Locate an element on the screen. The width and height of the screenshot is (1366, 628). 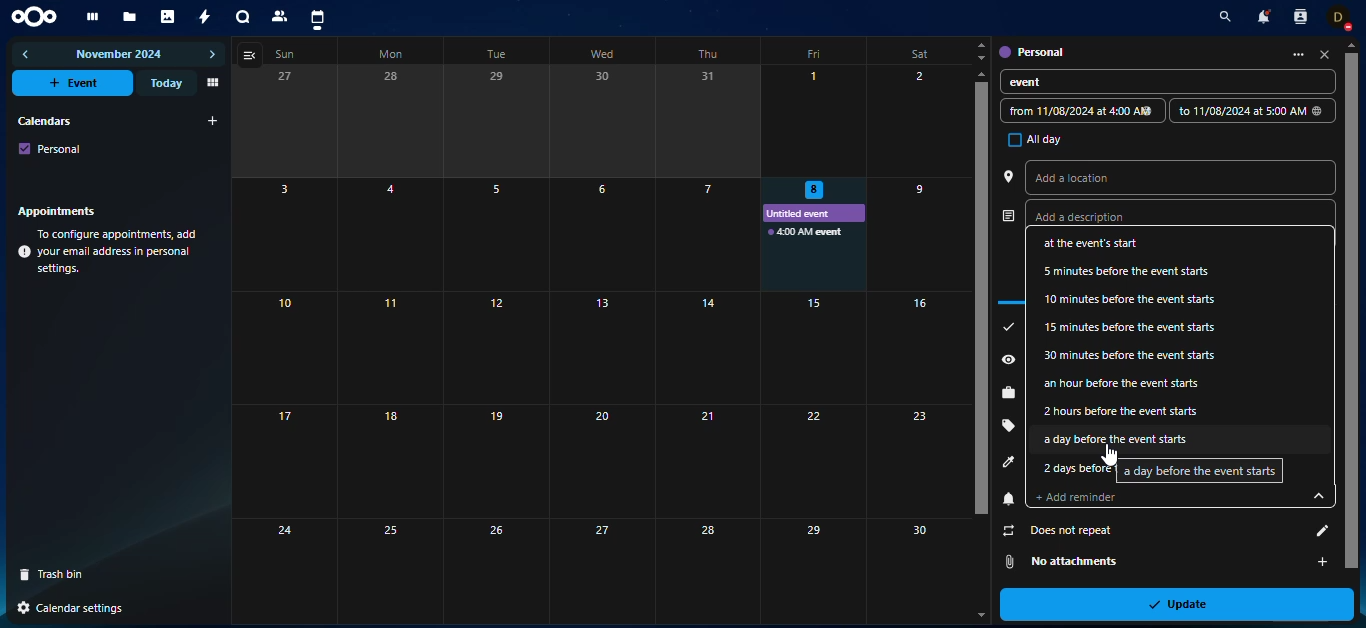
fri is located at coordinates (817, 55).